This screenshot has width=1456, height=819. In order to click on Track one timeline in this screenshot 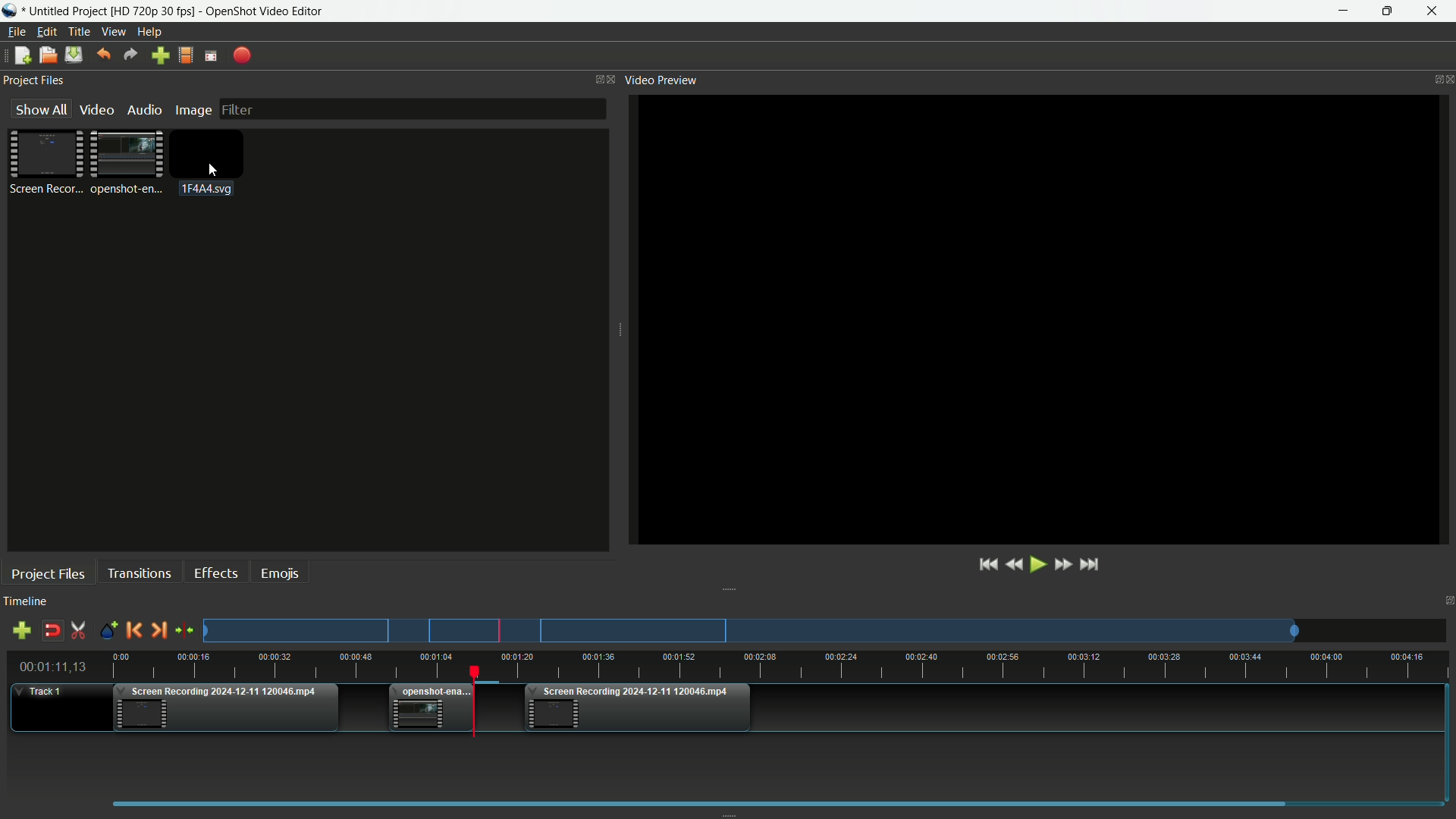, I will do `click(42, 692)`.